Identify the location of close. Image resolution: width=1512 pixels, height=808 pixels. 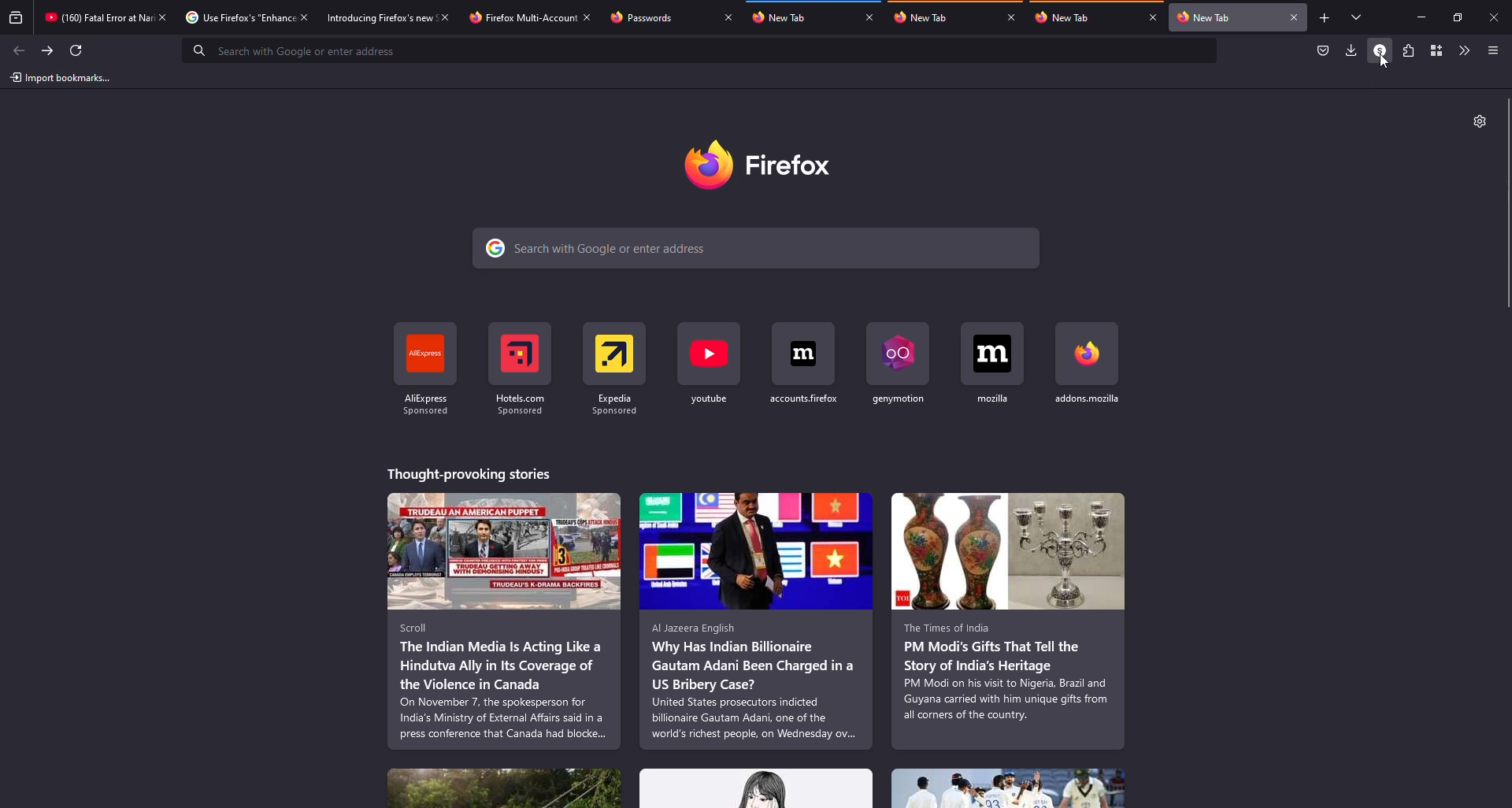
(587, 17).